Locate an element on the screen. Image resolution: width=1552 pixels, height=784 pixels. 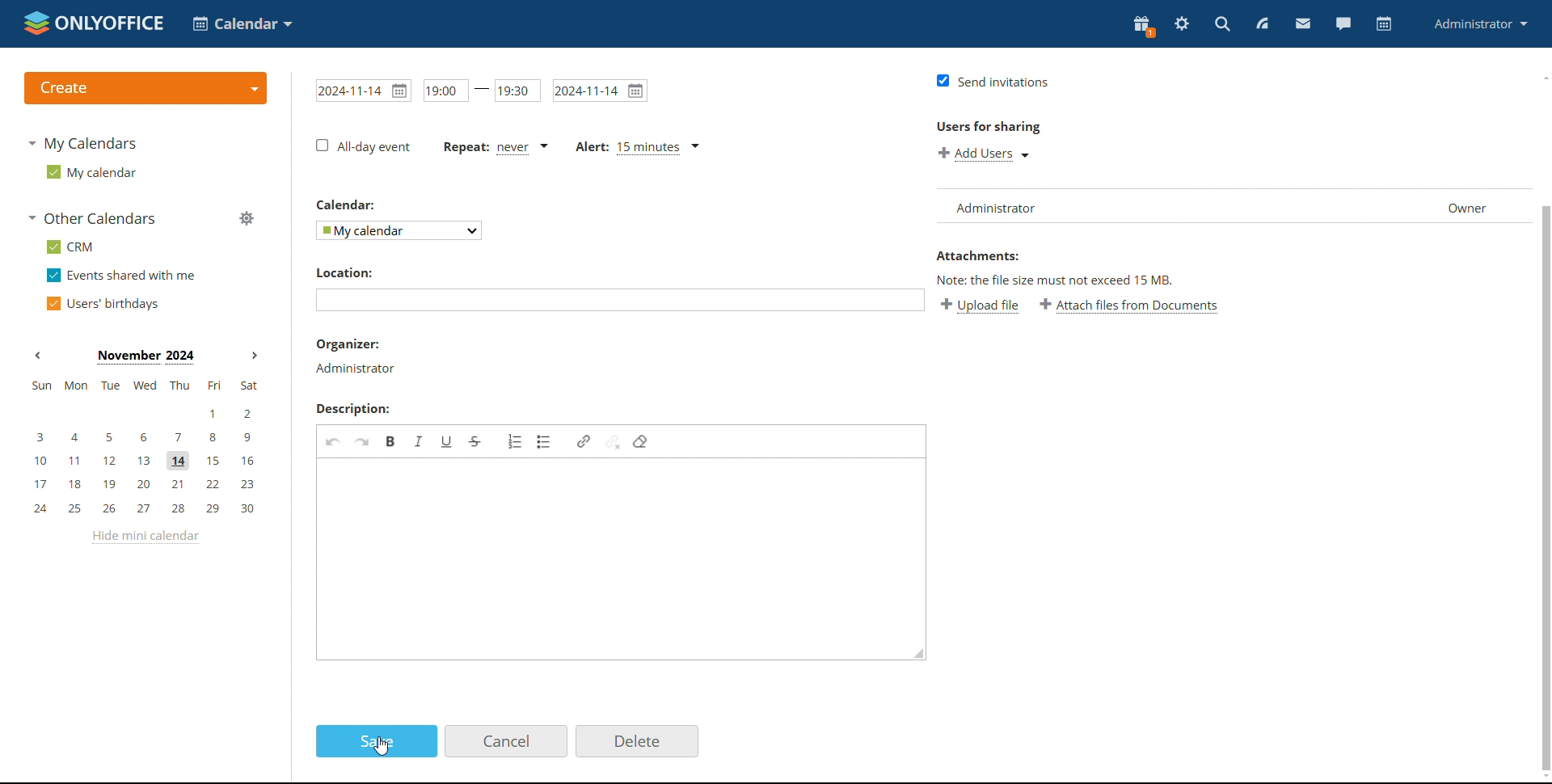
end date is located at coordinates (594, 92).